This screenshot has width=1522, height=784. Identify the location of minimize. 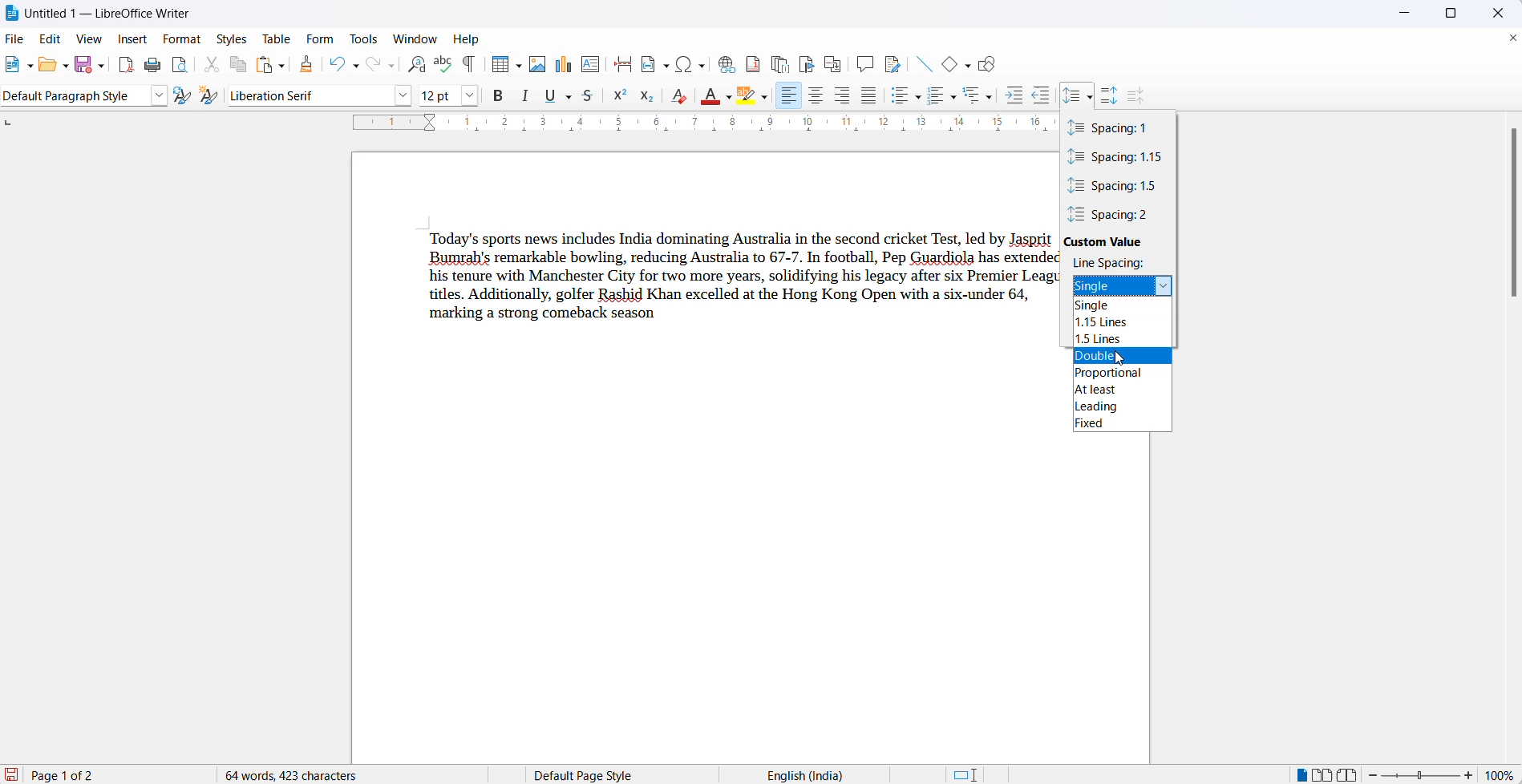
(1401, 15).